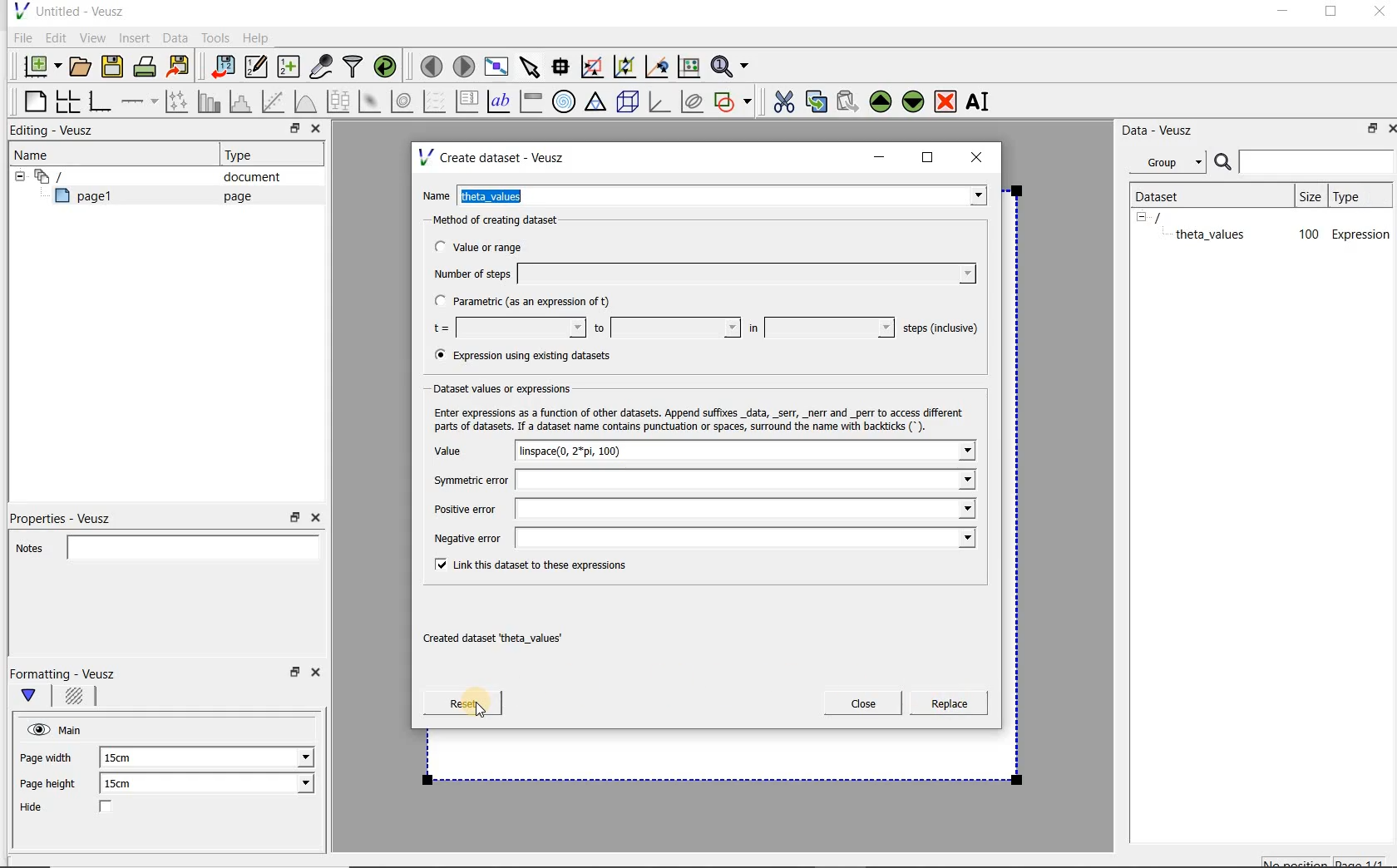  Describe the element at coordinates (495, 65) in the screenshot. I see `view plot full screen` at that location.